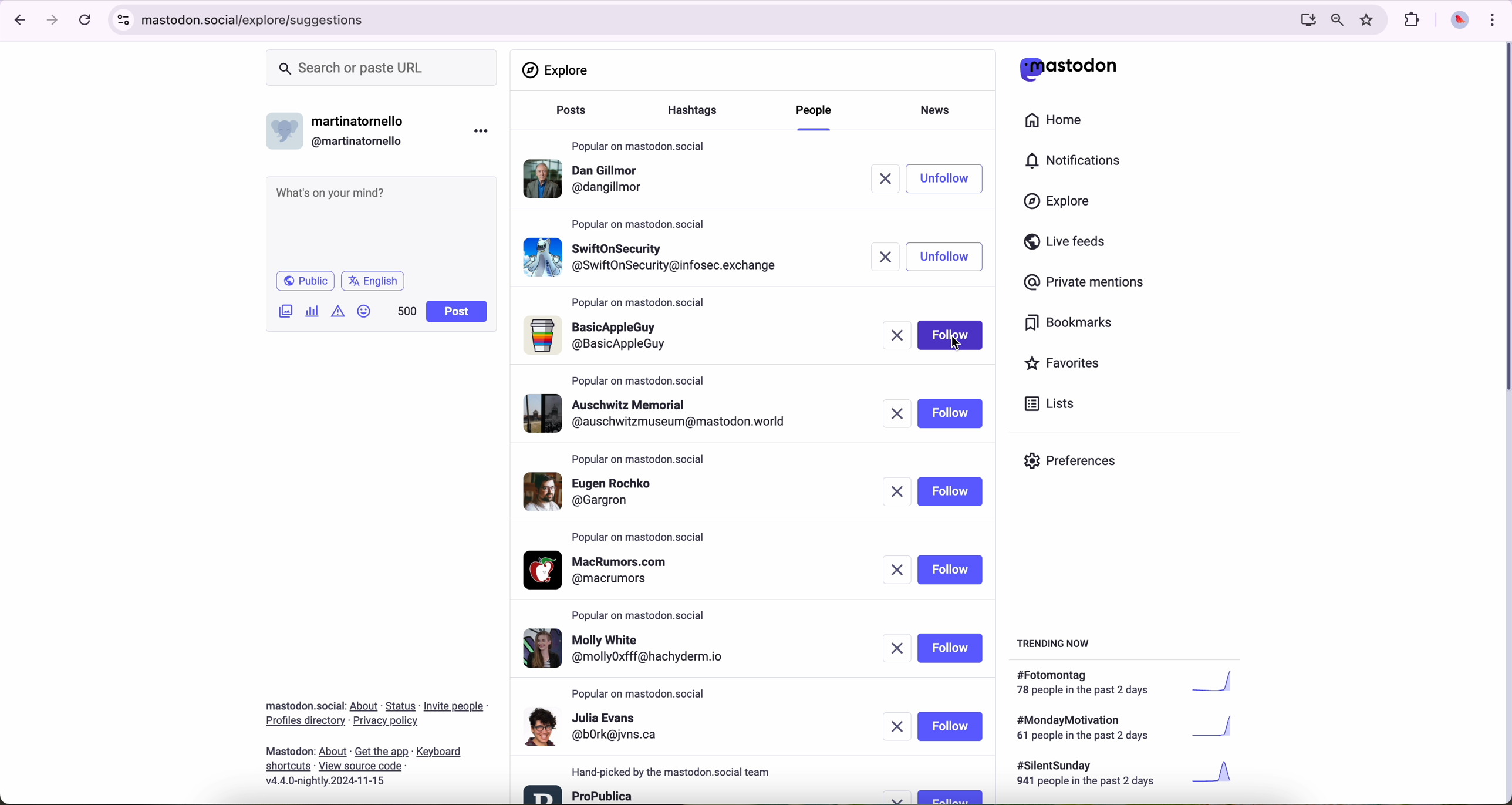  I want to click on click on people, so click(816, 112).